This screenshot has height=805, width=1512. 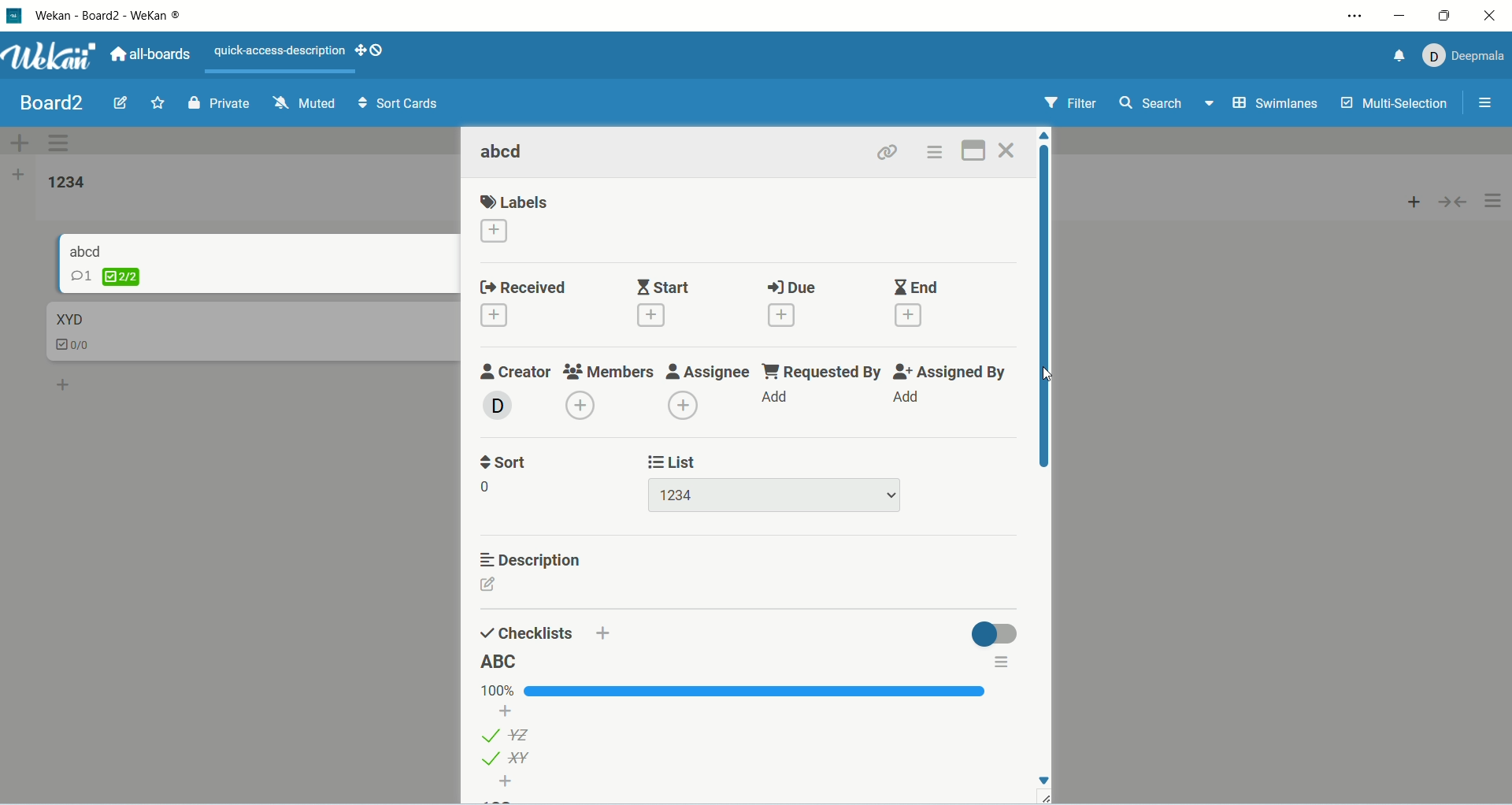 What do you see at coordinates (505, 154) in the screenshot?
I see `card title` at bounding box center [505, 154].